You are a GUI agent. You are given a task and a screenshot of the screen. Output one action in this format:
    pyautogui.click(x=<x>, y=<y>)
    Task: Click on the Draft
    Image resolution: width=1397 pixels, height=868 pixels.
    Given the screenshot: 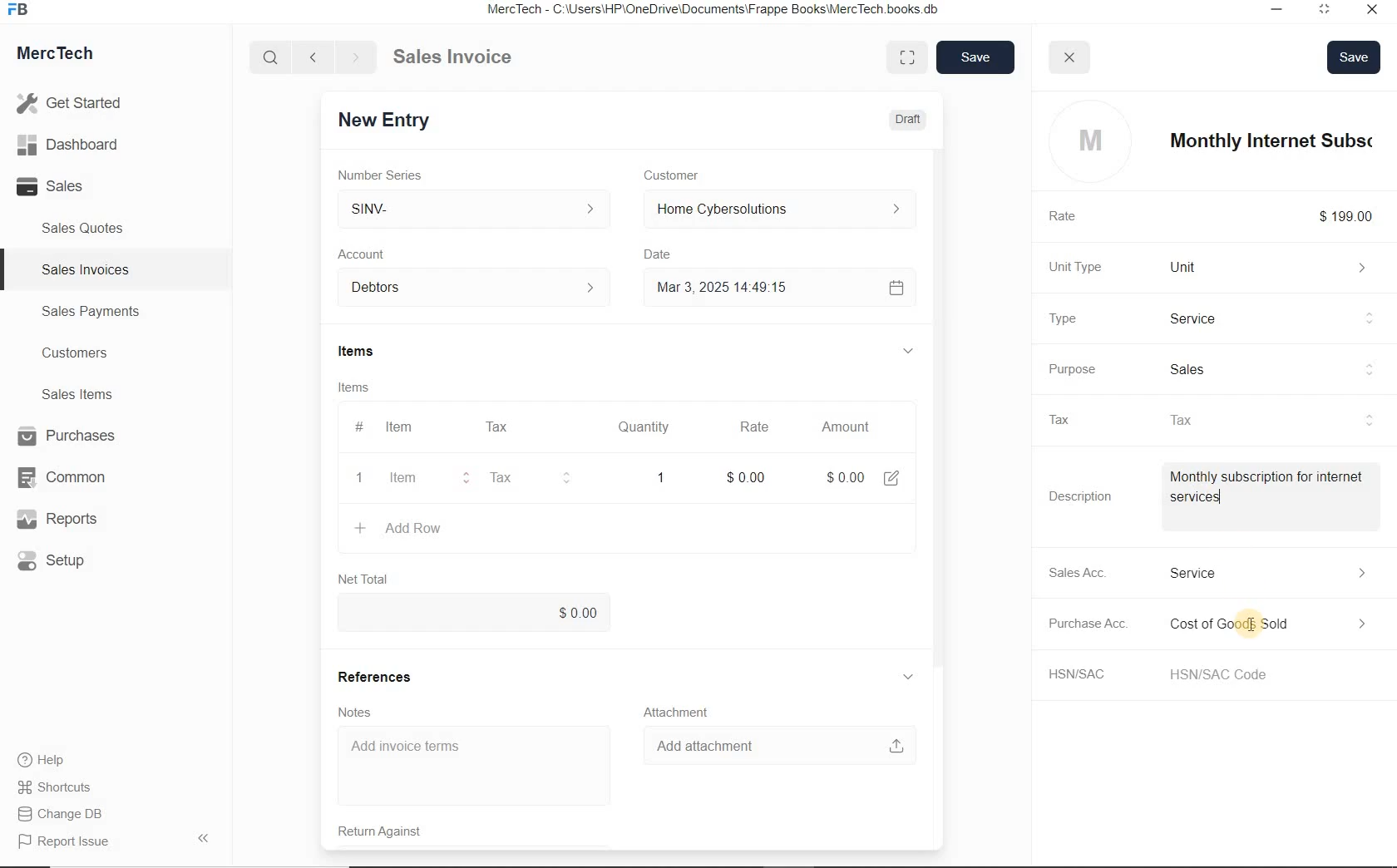 What is the action you would take?
    pyautogui.click(x=900, y=118)
    